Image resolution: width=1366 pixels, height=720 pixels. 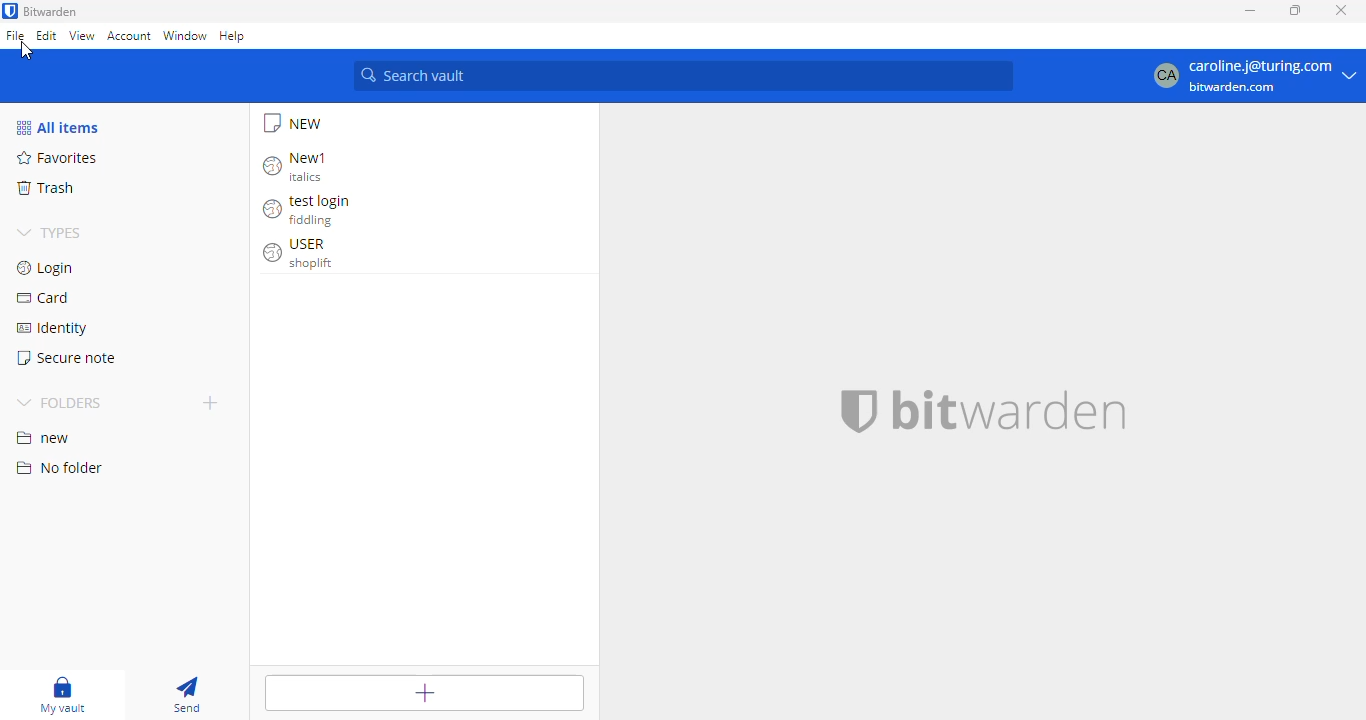 I want to click on add folder, so click(x=212, y=402).